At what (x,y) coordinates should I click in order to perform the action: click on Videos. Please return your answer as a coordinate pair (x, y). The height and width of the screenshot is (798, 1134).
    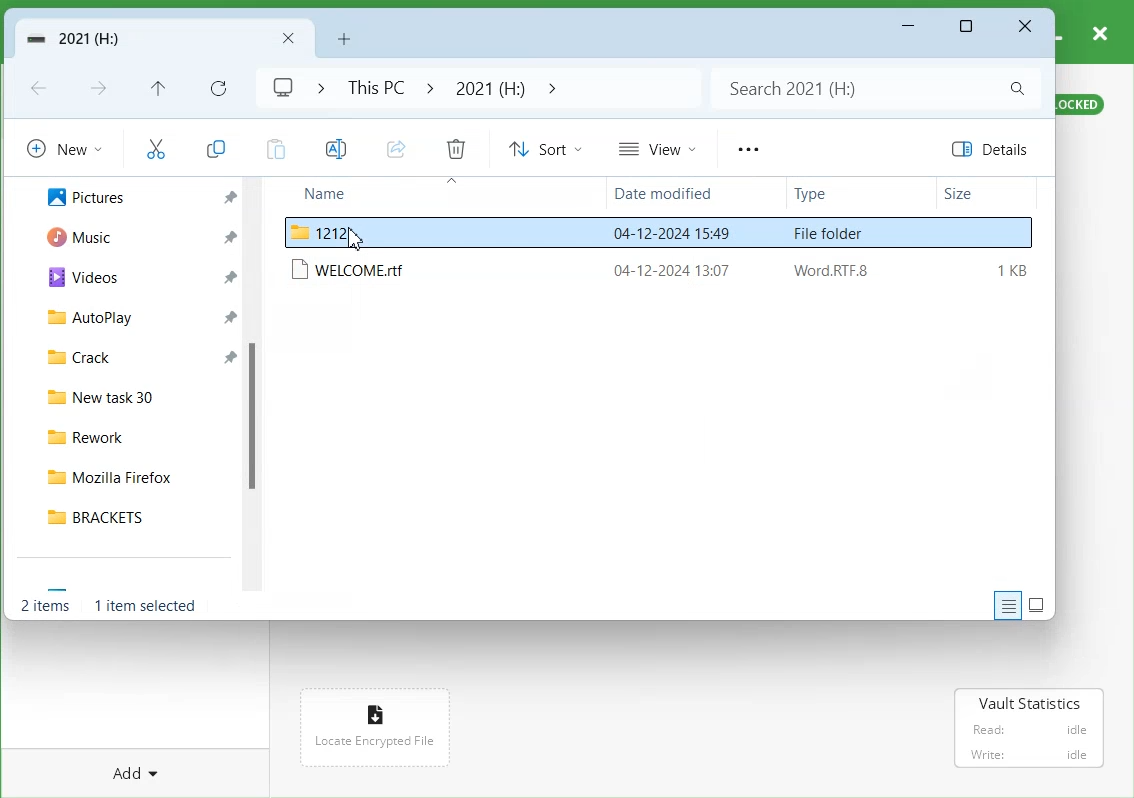
    Looking at the image, I should click on (78, 278).